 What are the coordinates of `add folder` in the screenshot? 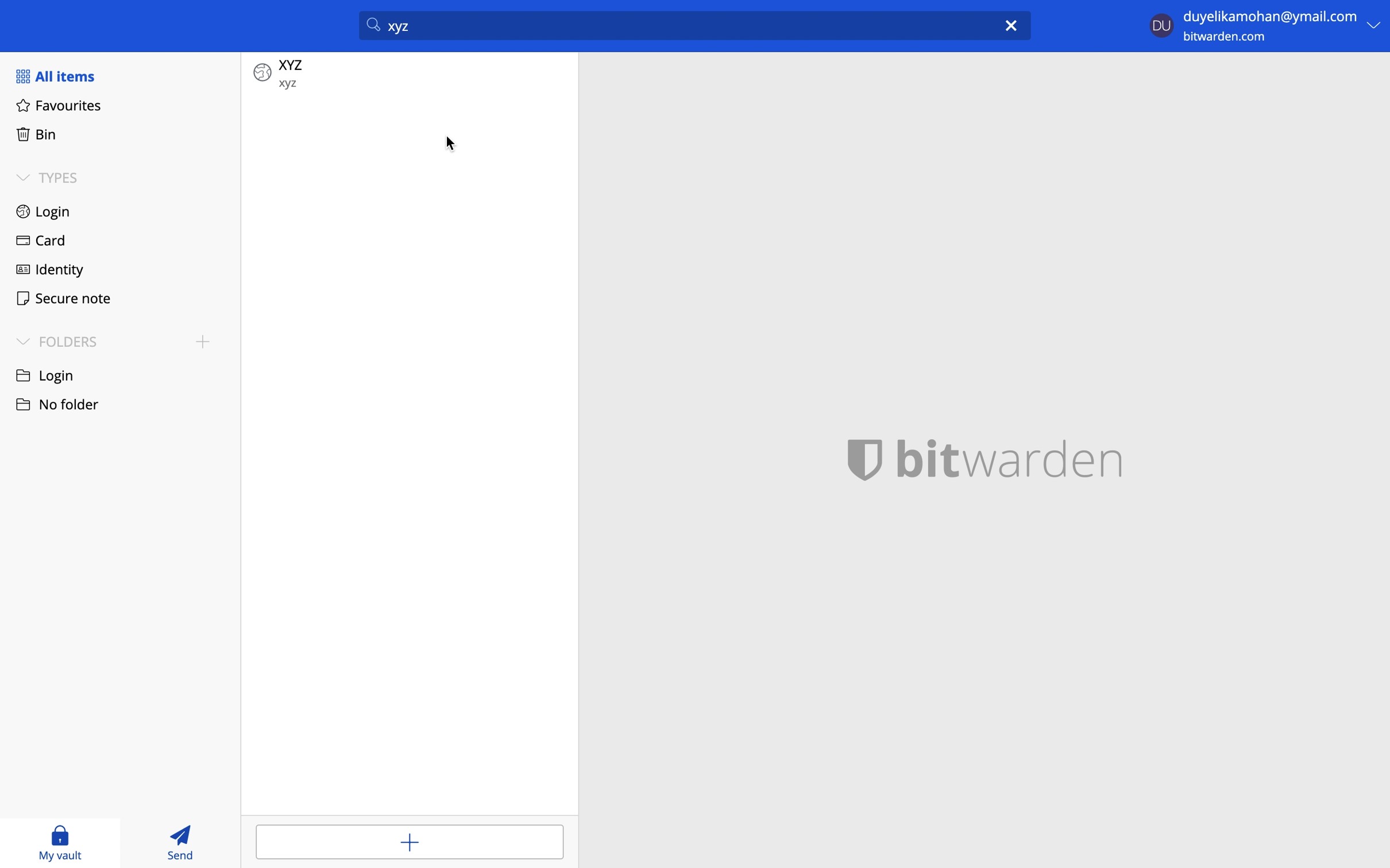 It's located at (202, 344).